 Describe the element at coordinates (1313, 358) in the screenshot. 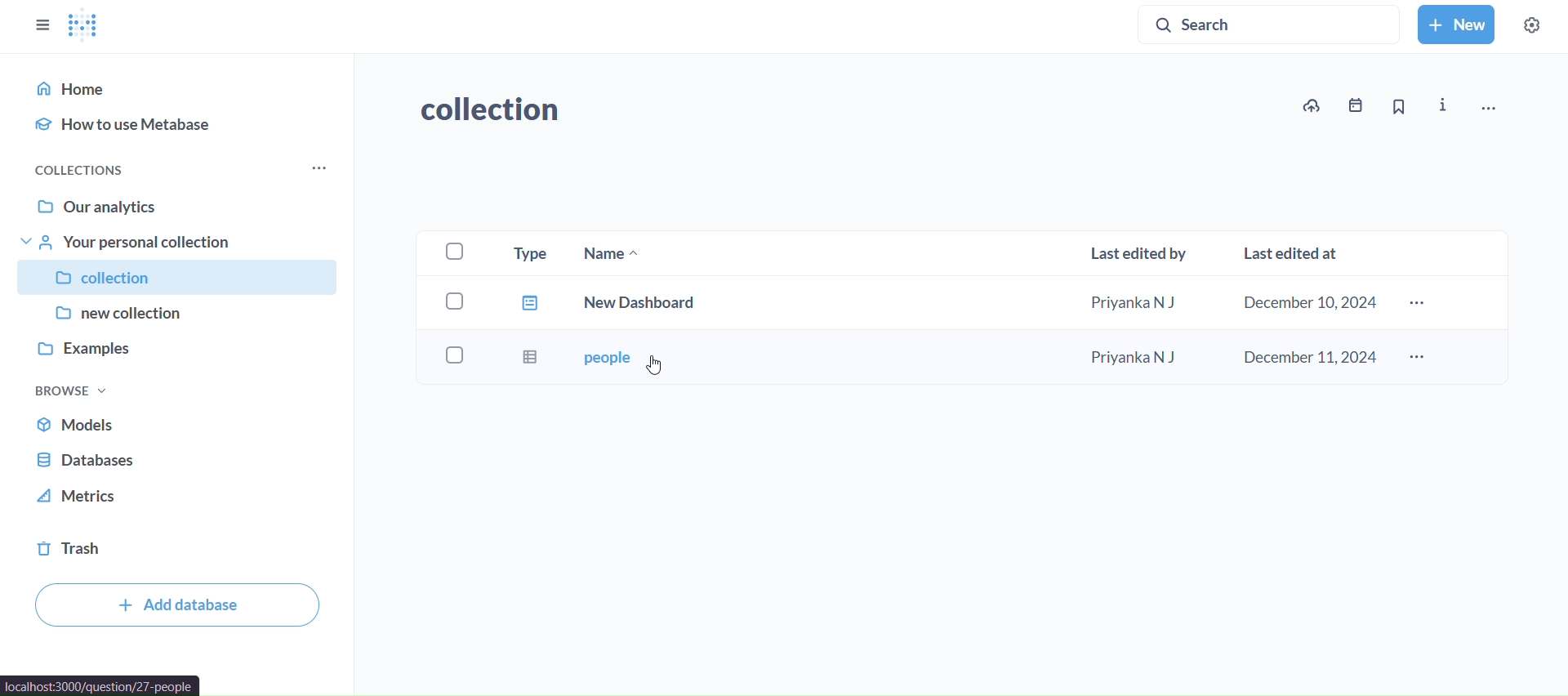

I see `december 11,2024` at that location.